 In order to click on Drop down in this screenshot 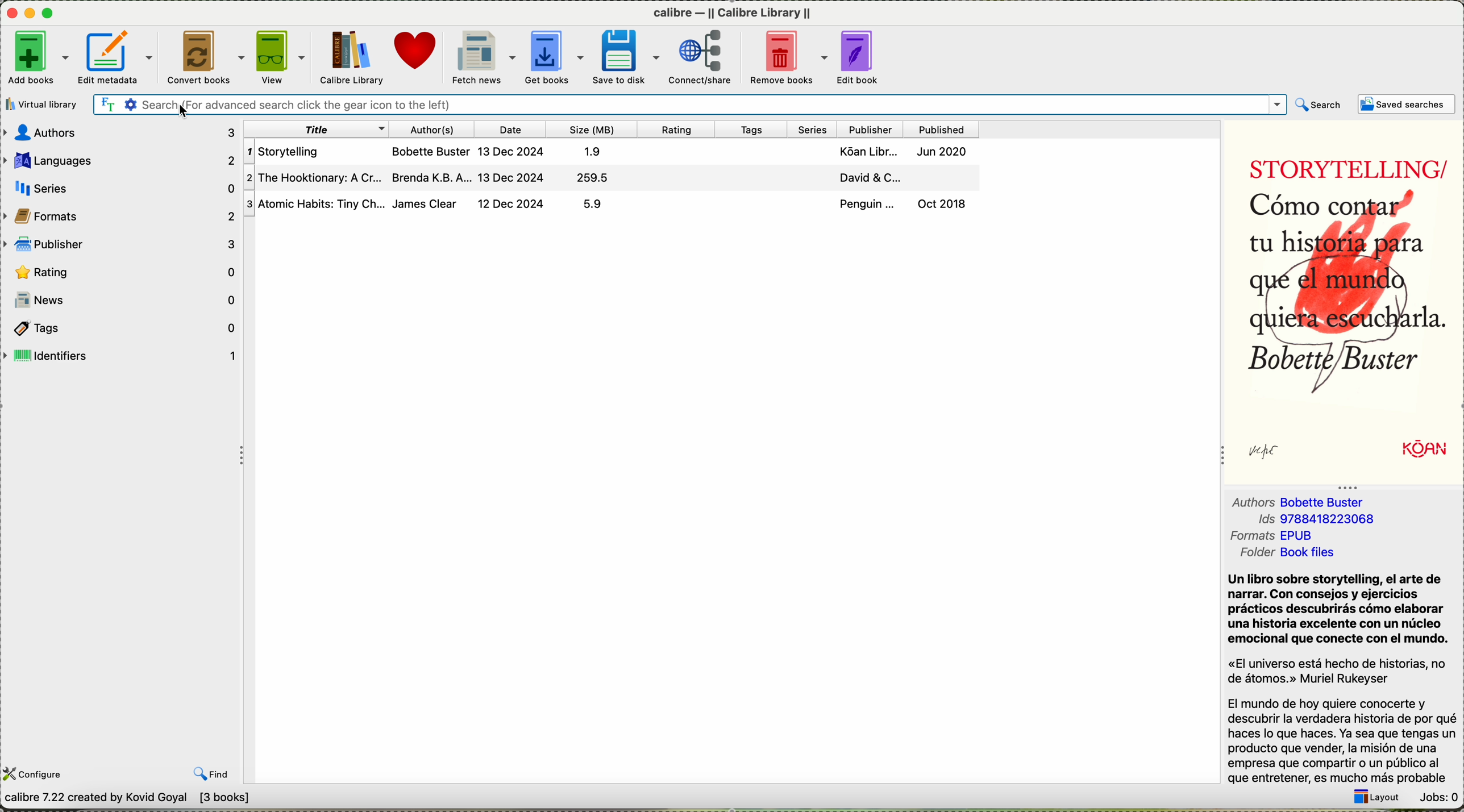, I will do `click(1275, 105)`.